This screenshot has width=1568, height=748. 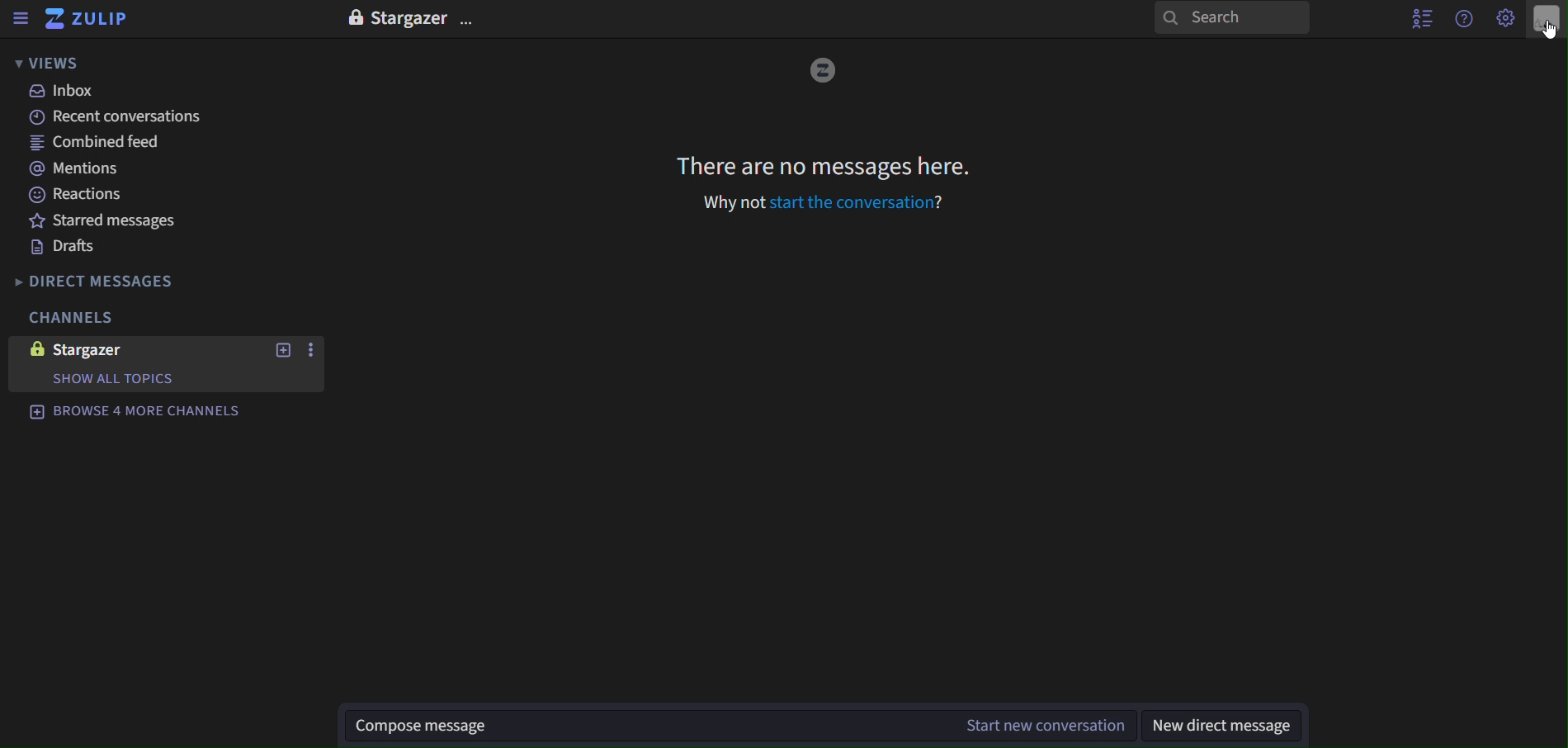 I want to click on There are no messages here., so click(x=822, y=164).